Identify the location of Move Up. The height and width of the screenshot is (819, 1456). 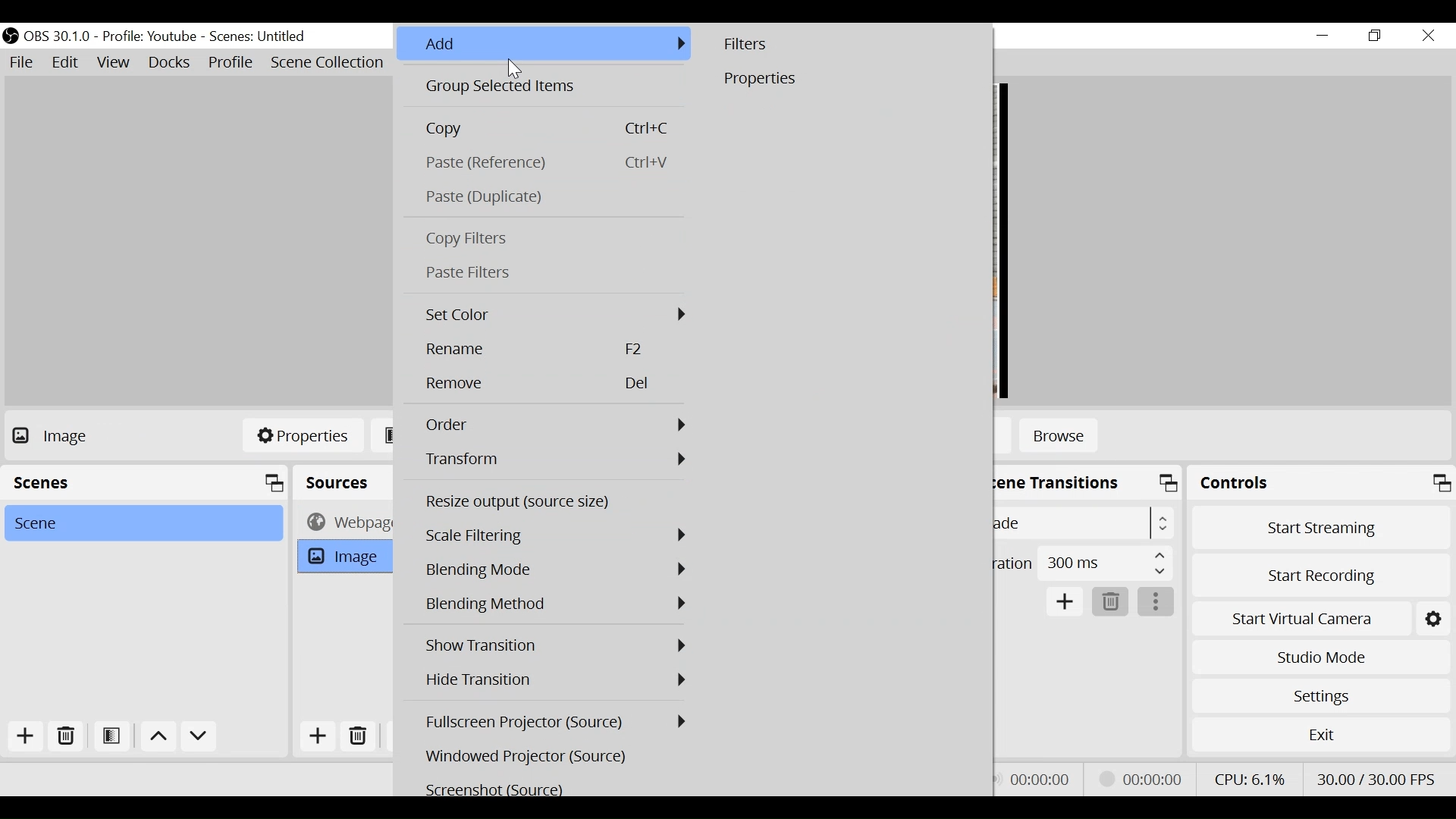
(157, 738).